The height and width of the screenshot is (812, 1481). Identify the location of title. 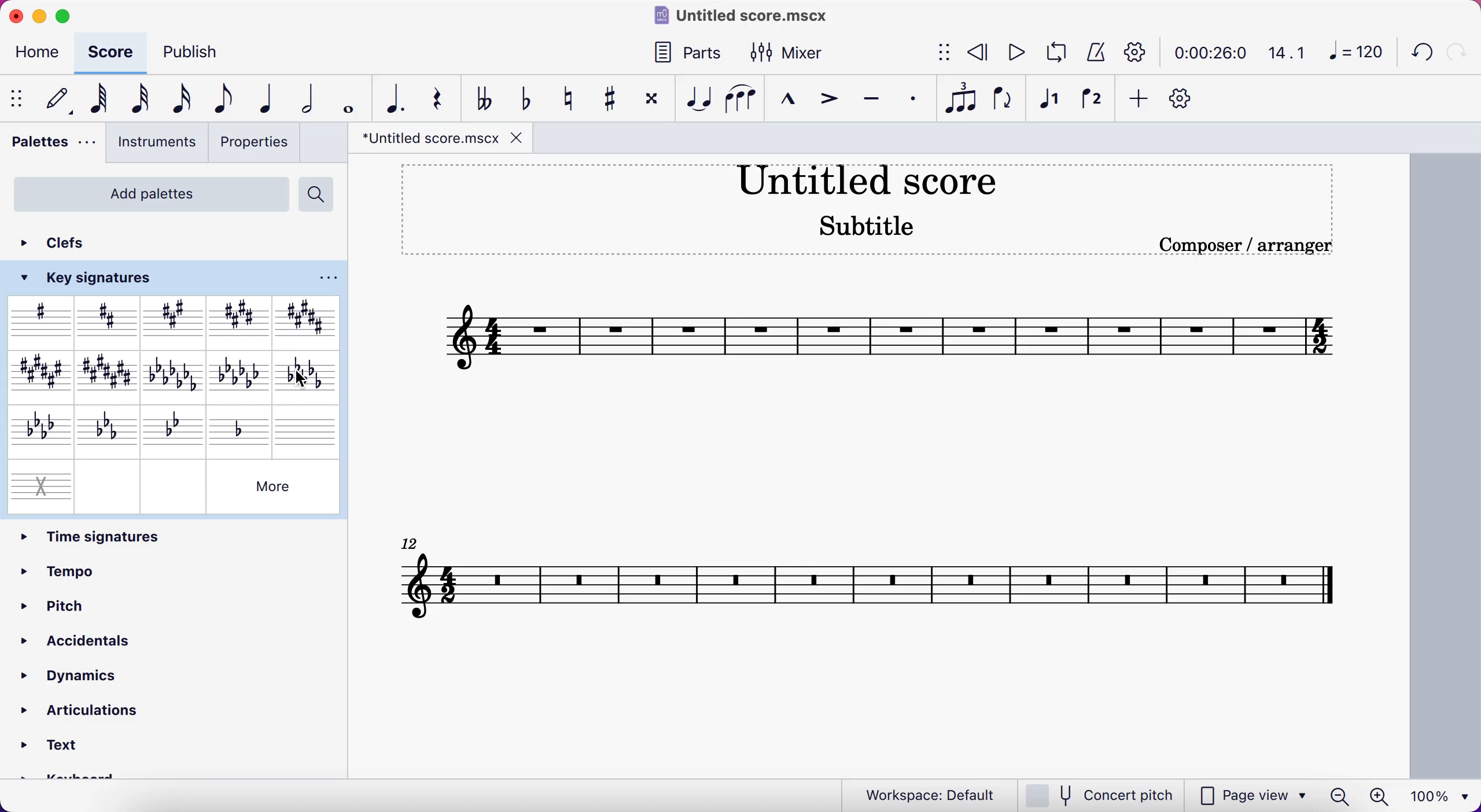
(754, 16).